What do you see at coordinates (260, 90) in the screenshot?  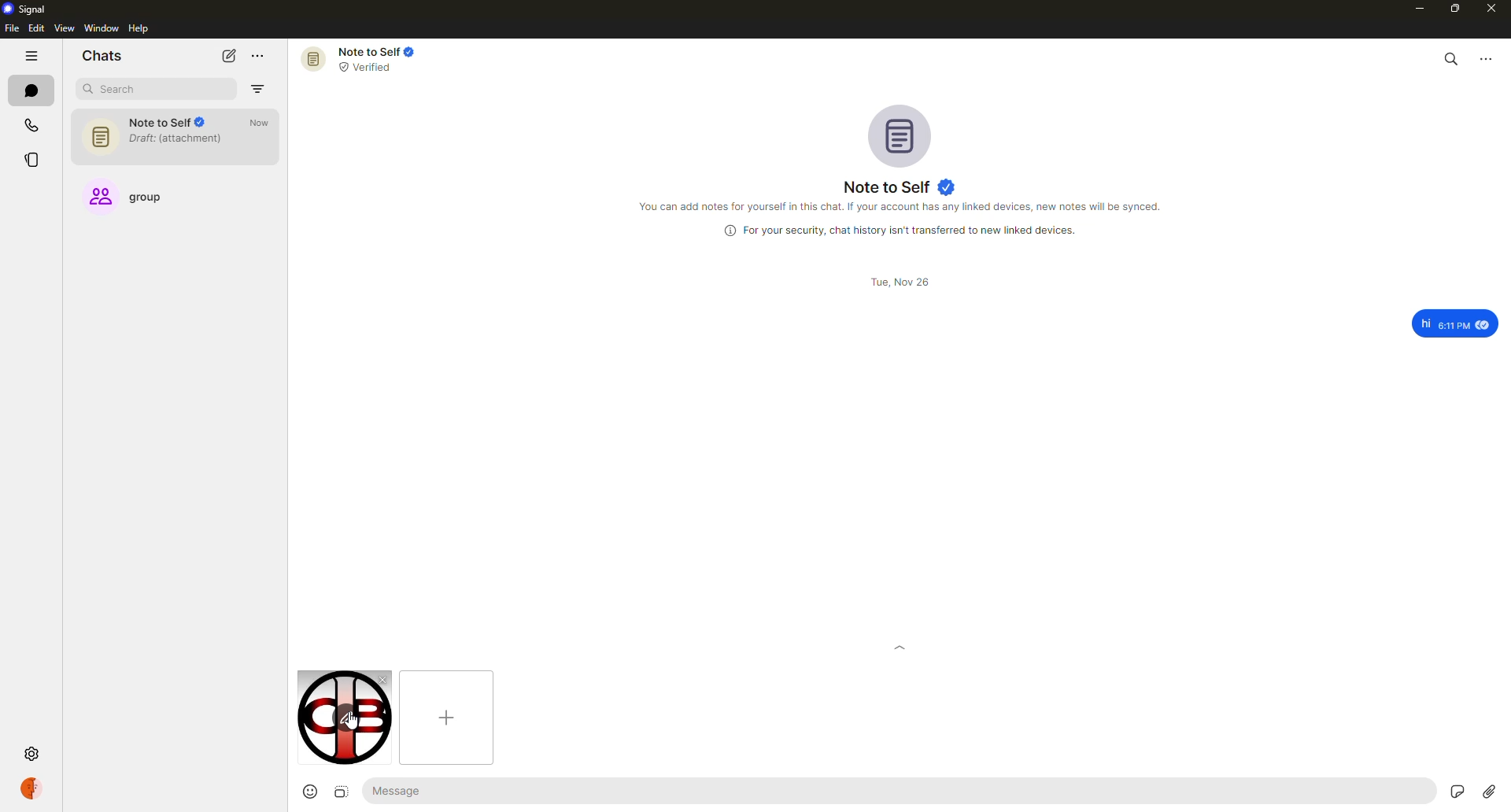 I see `filter` at bounding box center [260, 90].